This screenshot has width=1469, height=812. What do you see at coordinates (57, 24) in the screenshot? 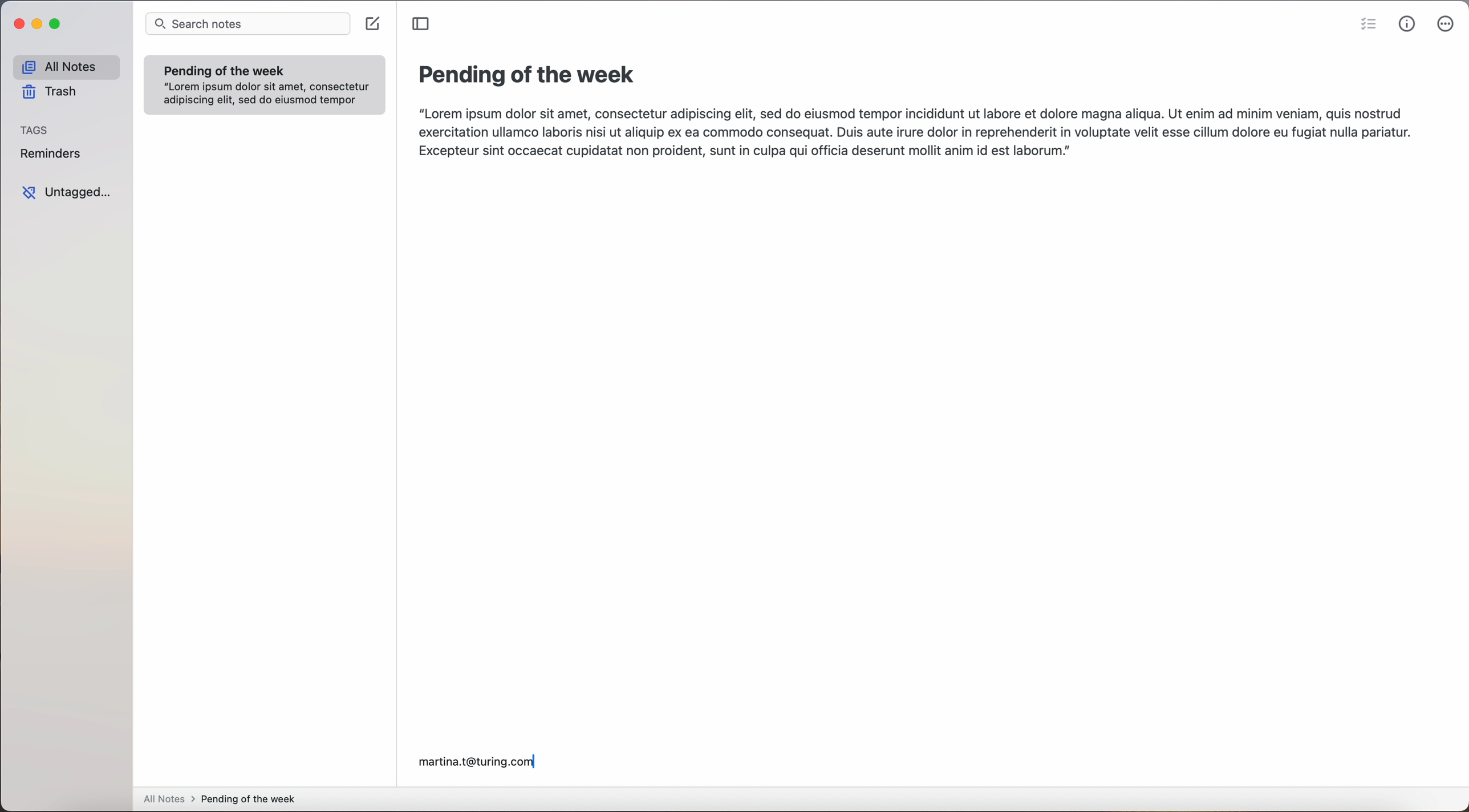
I see `maximize app` at bounding box center [57, 24].